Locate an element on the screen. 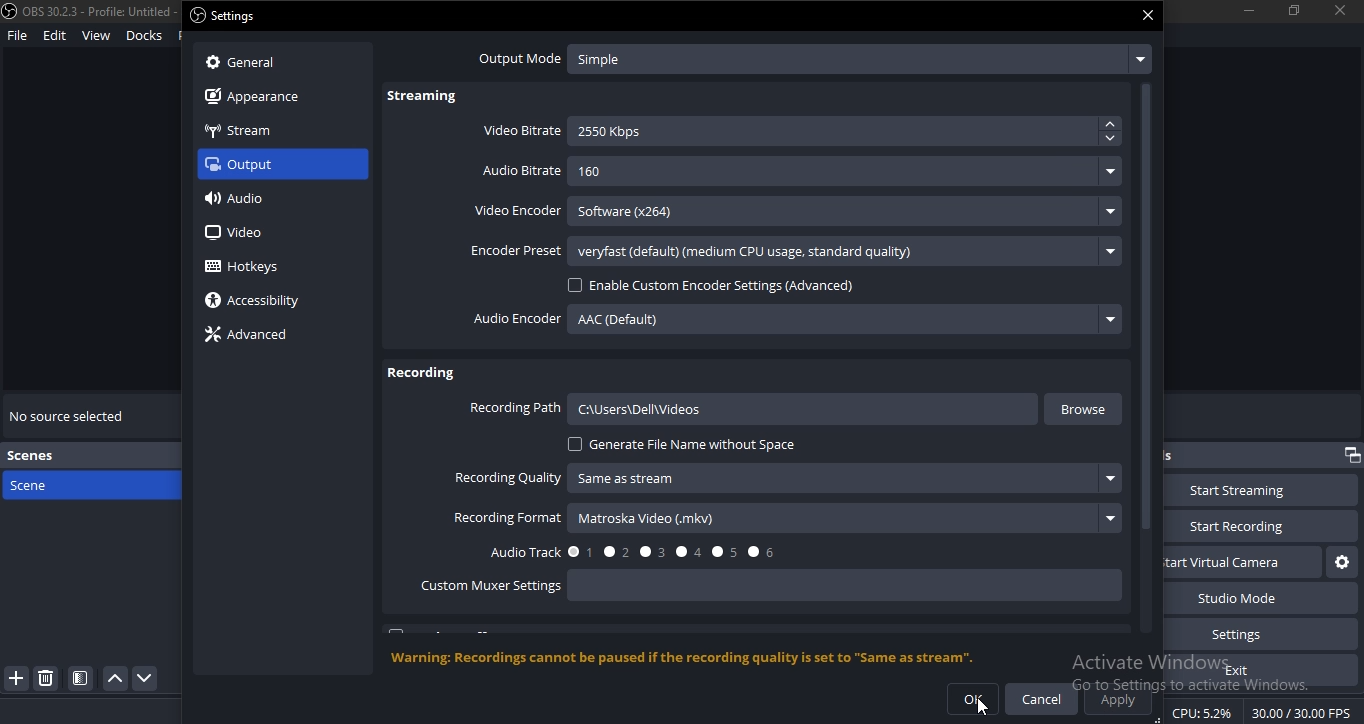 The width and height of the screenshot is (1364, 724). settings is located at coordinates (228, 16).